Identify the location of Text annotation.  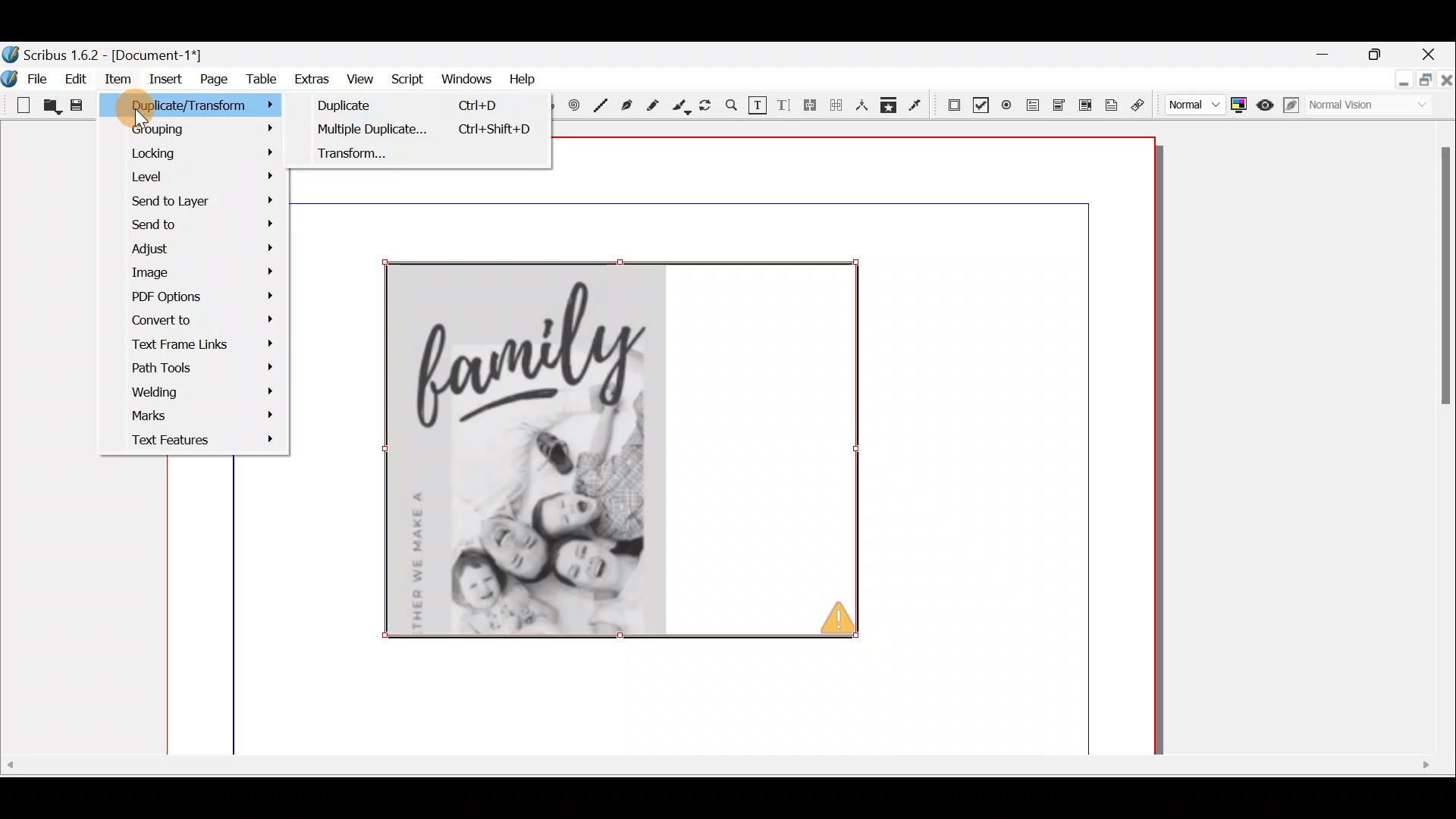
(1114, 104).